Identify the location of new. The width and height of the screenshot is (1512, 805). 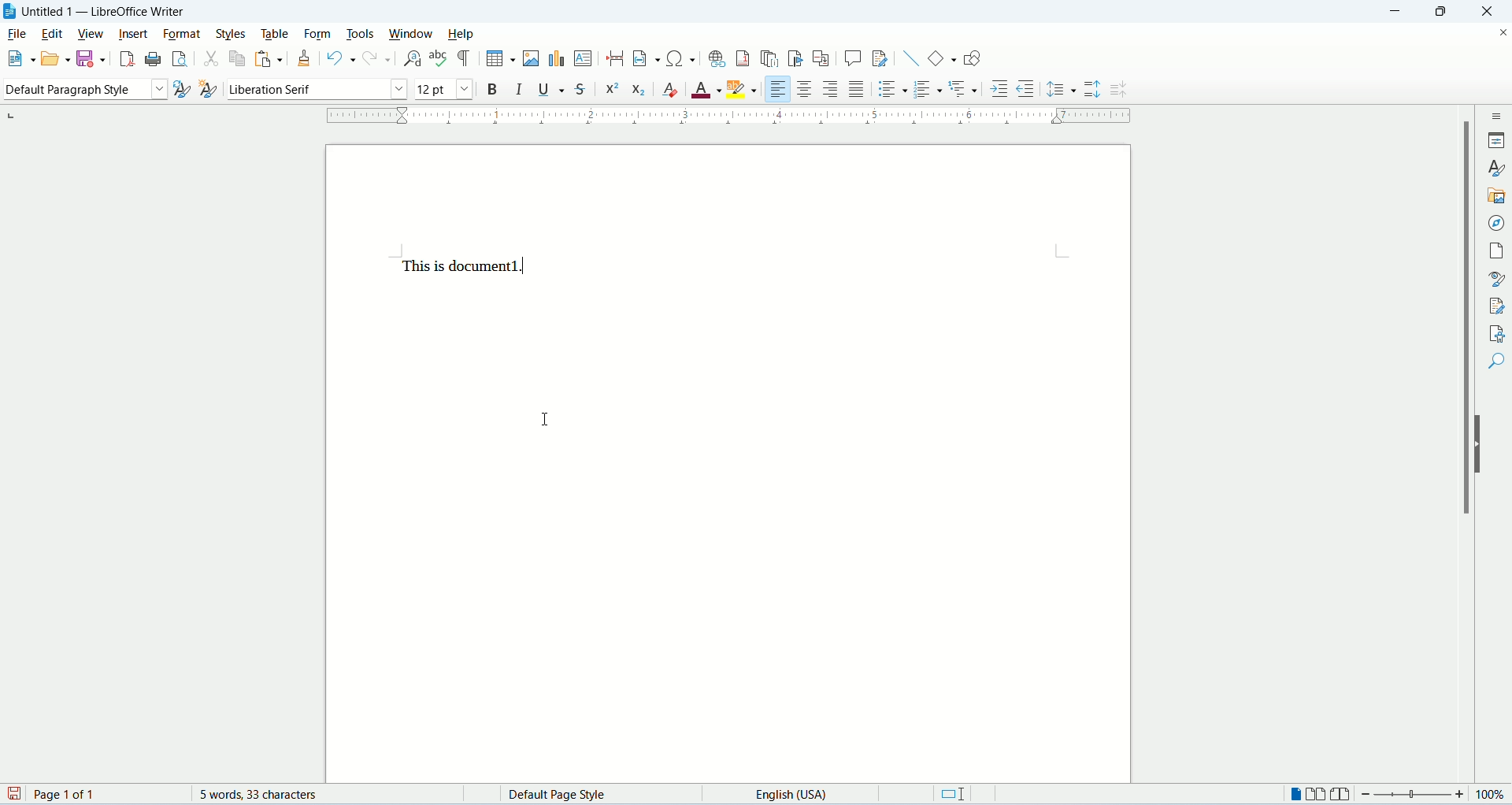
(19, 57).